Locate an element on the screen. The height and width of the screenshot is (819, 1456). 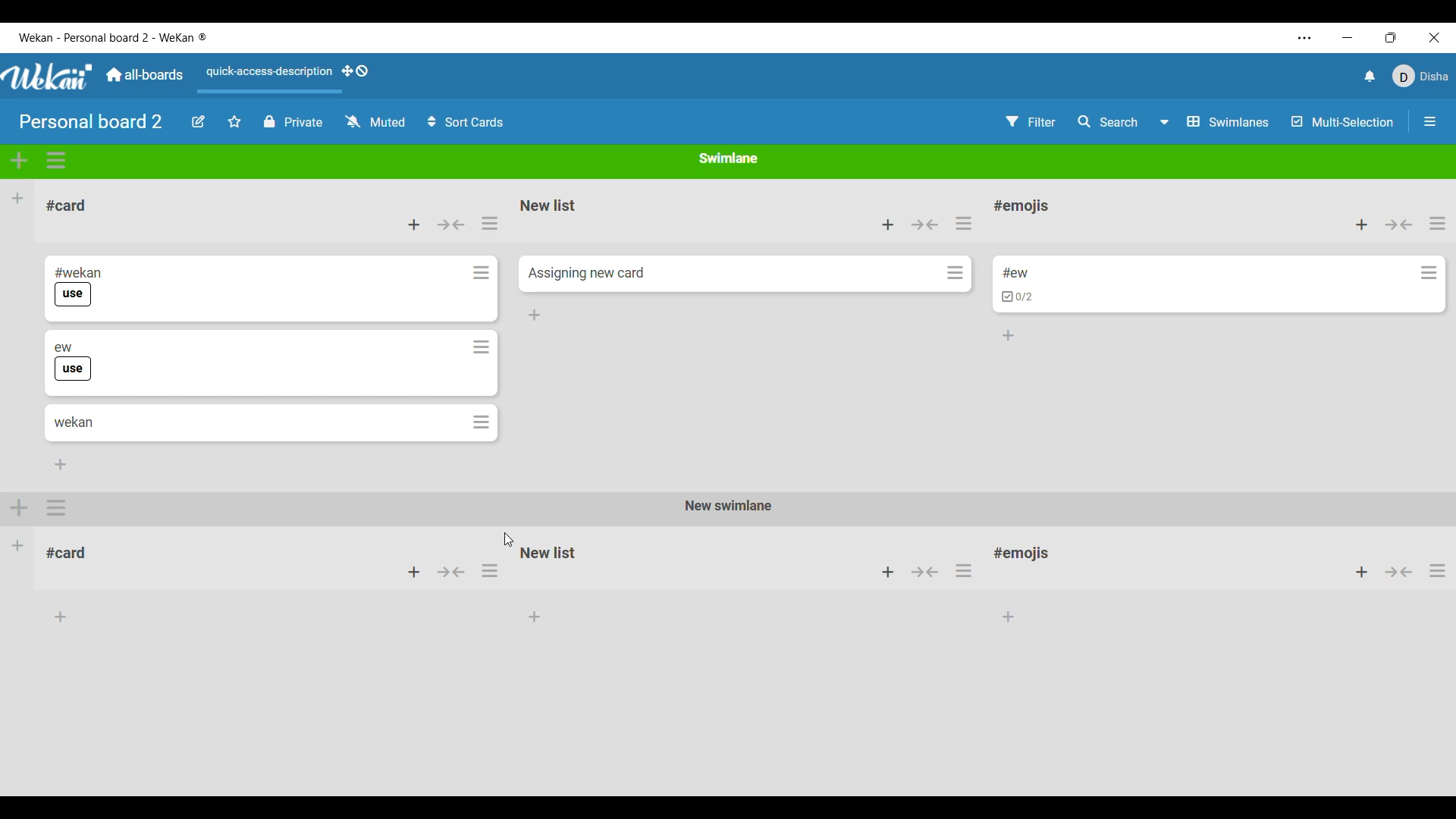
options is located at coordinates (1439, 569).